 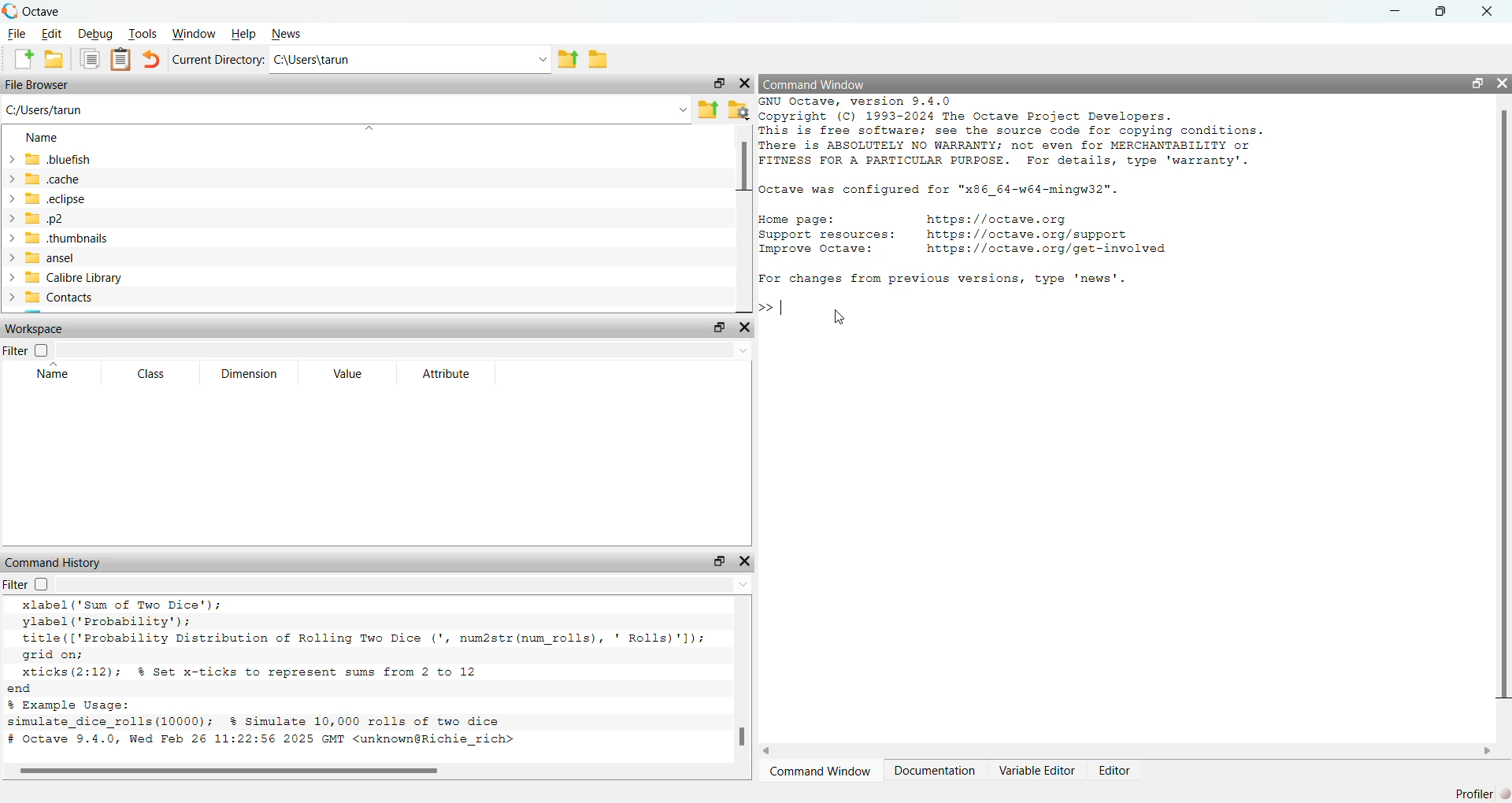 I want to click on C:\Users\tarun, so click(x=410, y=62).